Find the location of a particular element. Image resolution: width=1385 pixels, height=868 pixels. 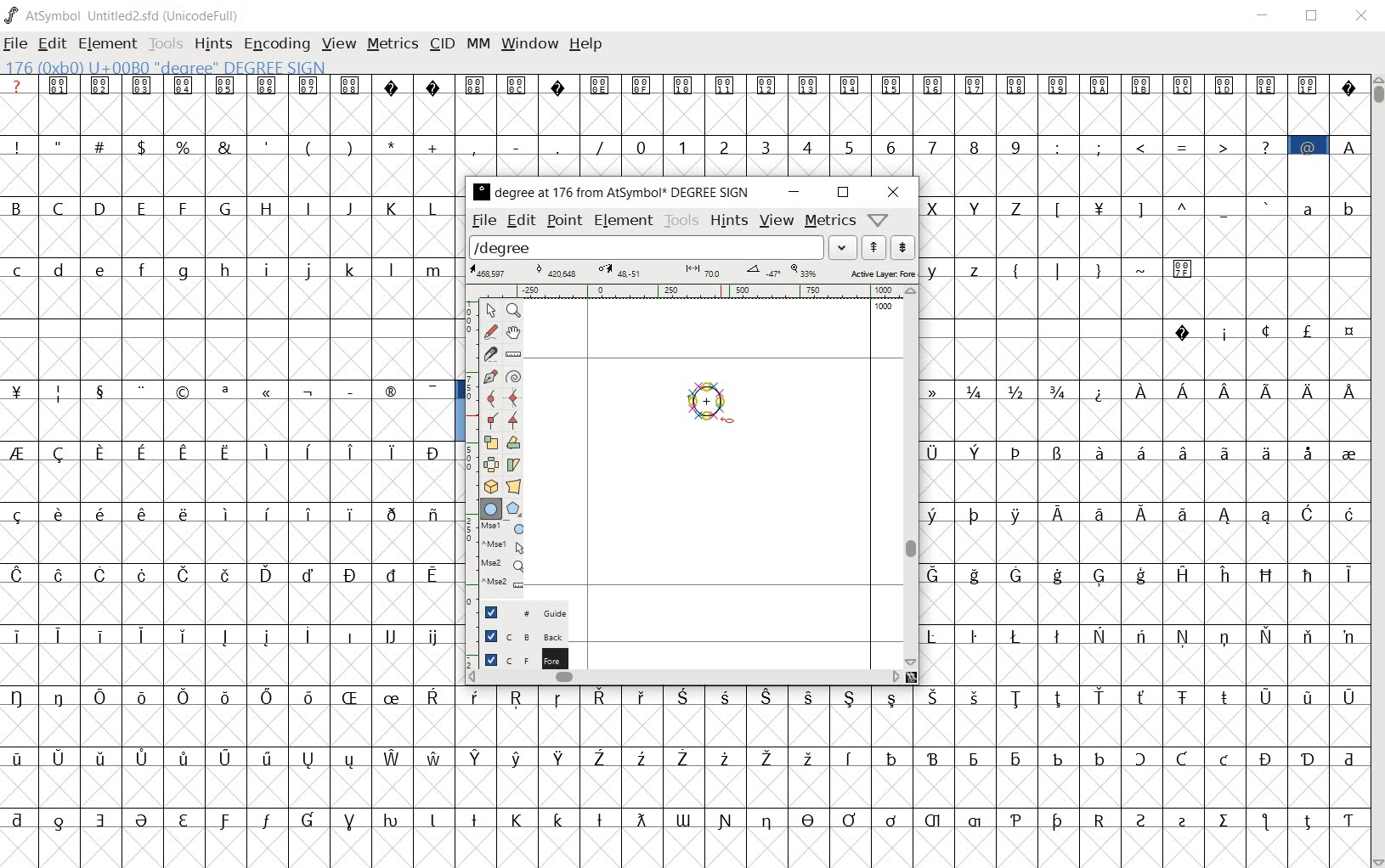

minimize is located at coordinates (1263, 15).